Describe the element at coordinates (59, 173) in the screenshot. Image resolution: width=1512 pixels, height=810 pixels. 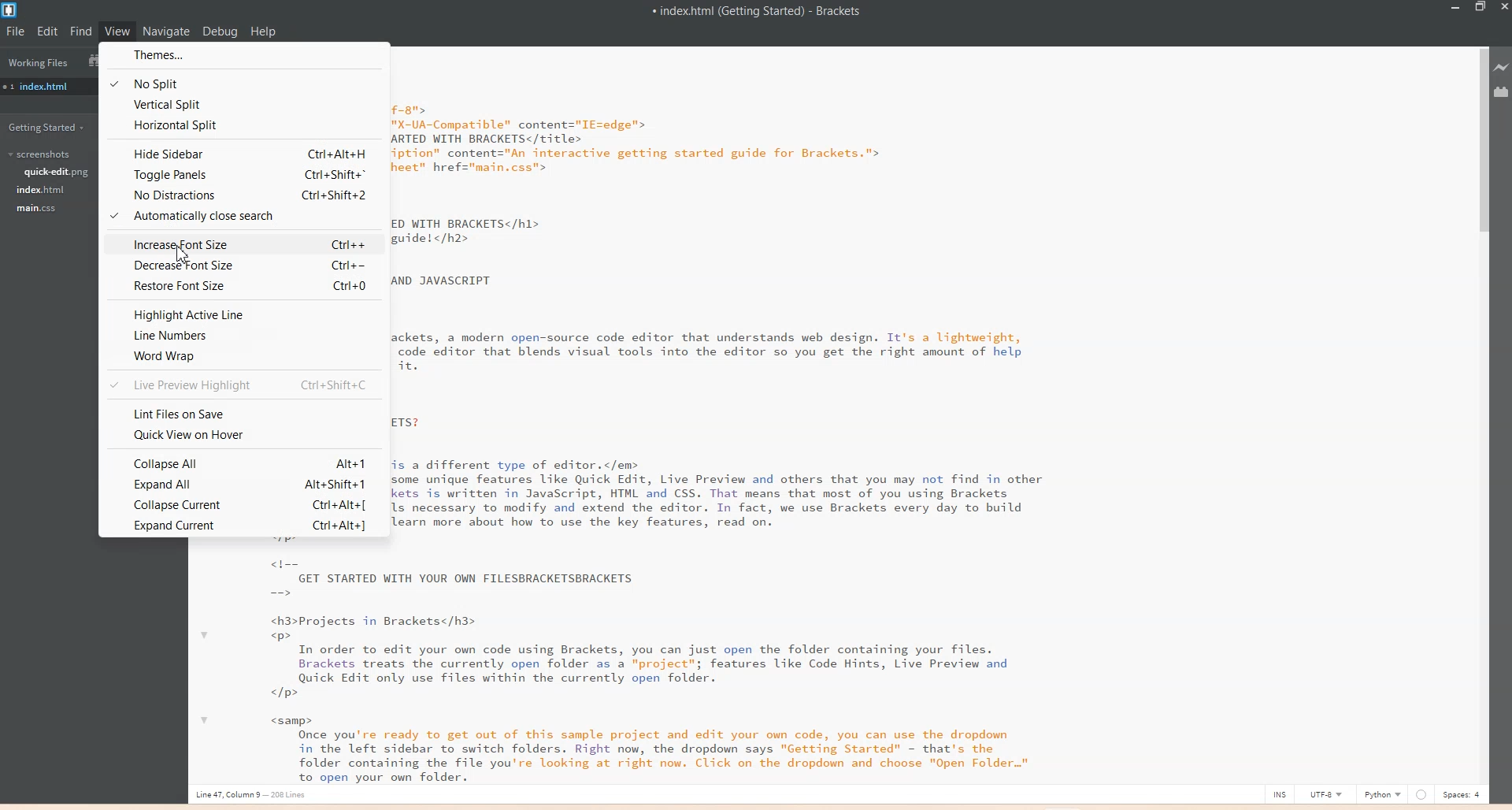
I see `quick-edit.png` at that location.